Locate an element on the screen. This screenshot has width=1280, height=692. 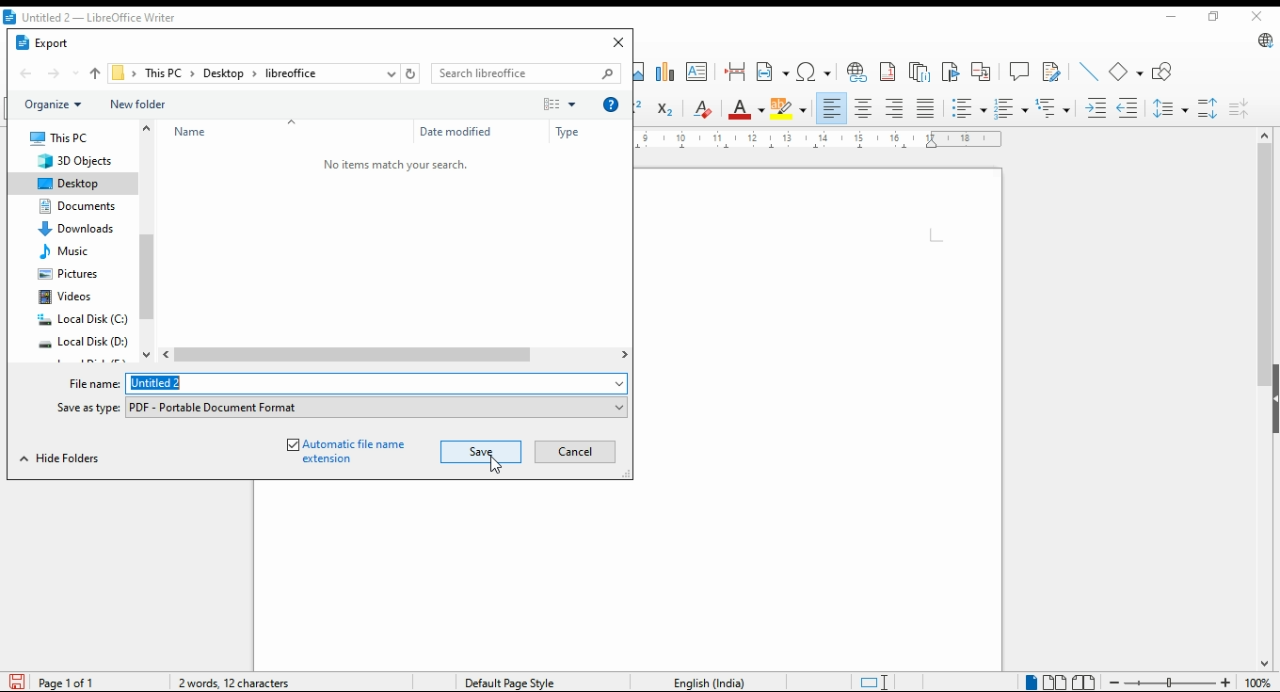
insert chart is located at coordinates (667, 70).